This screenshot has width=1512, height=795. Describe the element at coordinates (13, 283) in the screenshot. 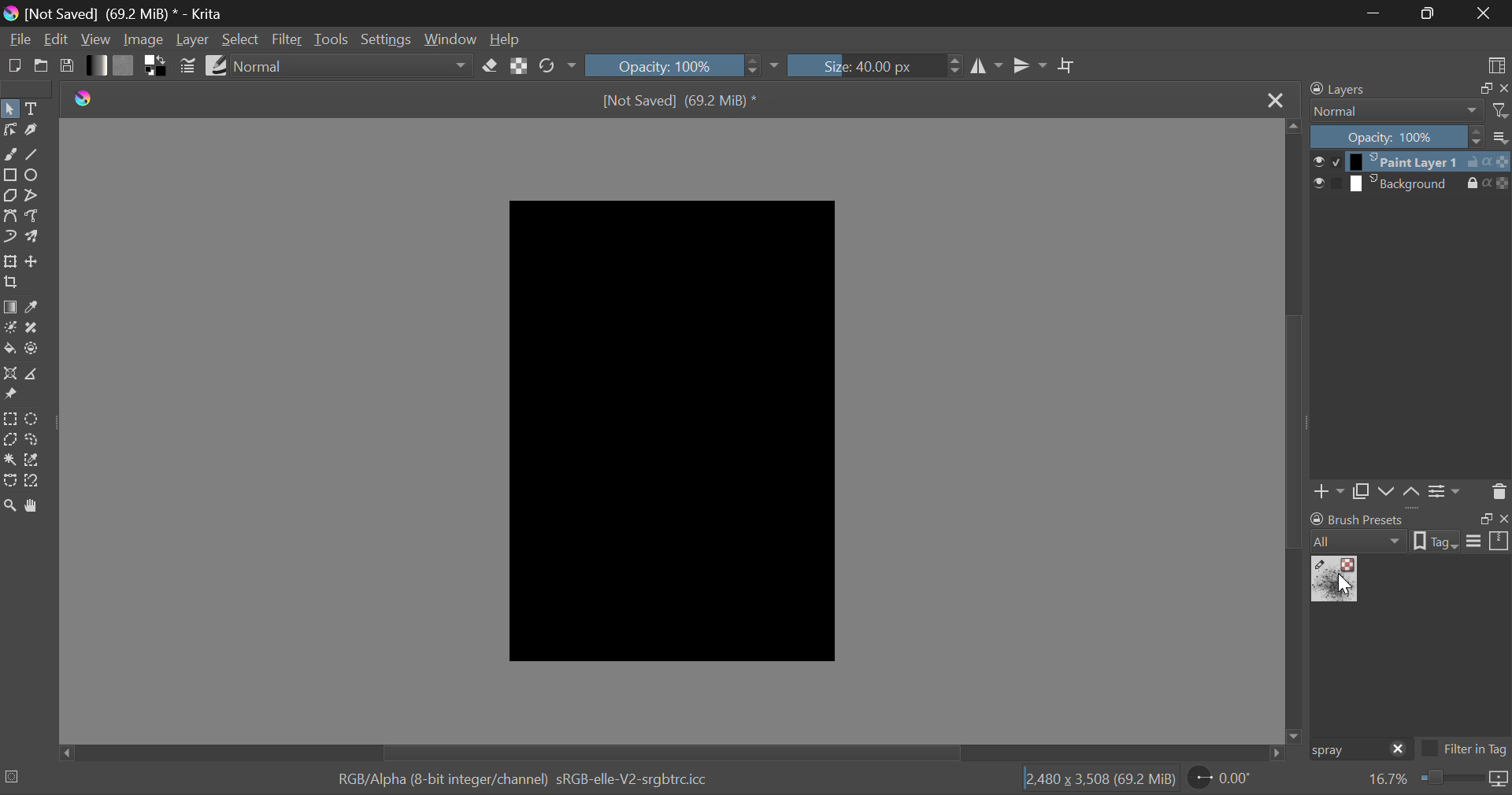

I see `Crop Layer` at that location.